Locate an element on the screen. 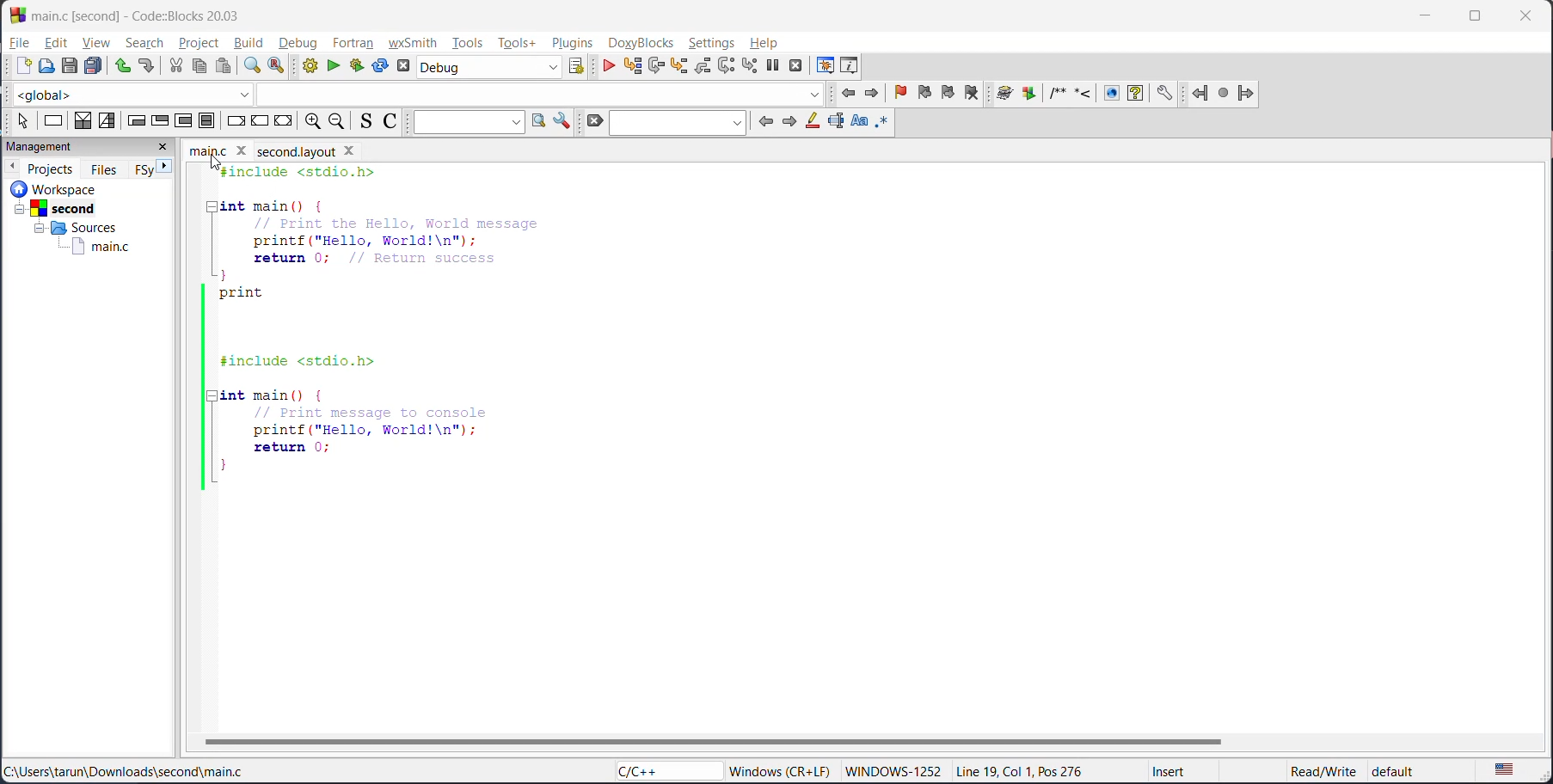  abort is located at coordinates (401, 67).